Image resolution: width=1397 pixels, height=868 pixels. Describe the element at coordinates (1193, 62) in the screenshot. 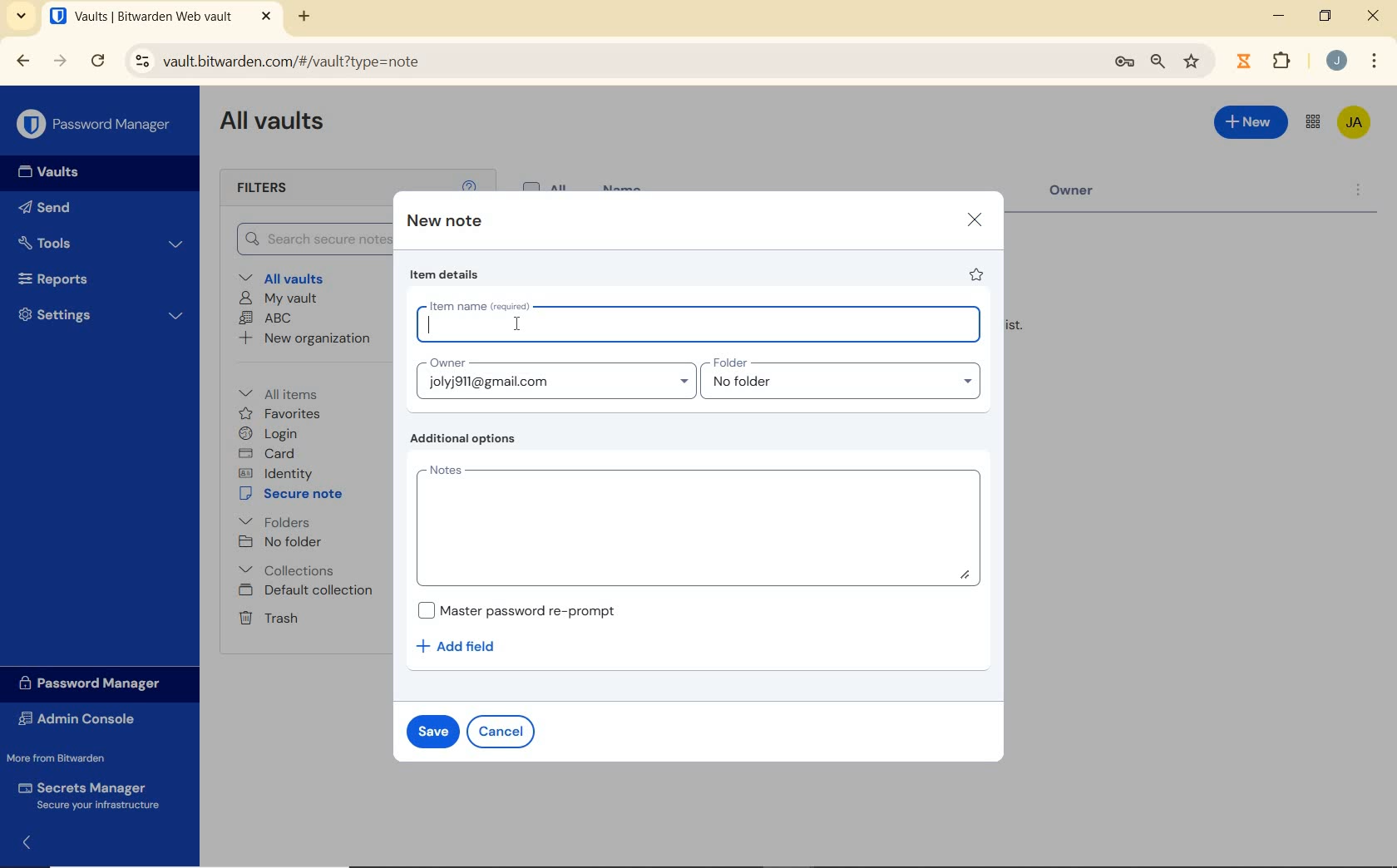

I see `bookmark` at that location.